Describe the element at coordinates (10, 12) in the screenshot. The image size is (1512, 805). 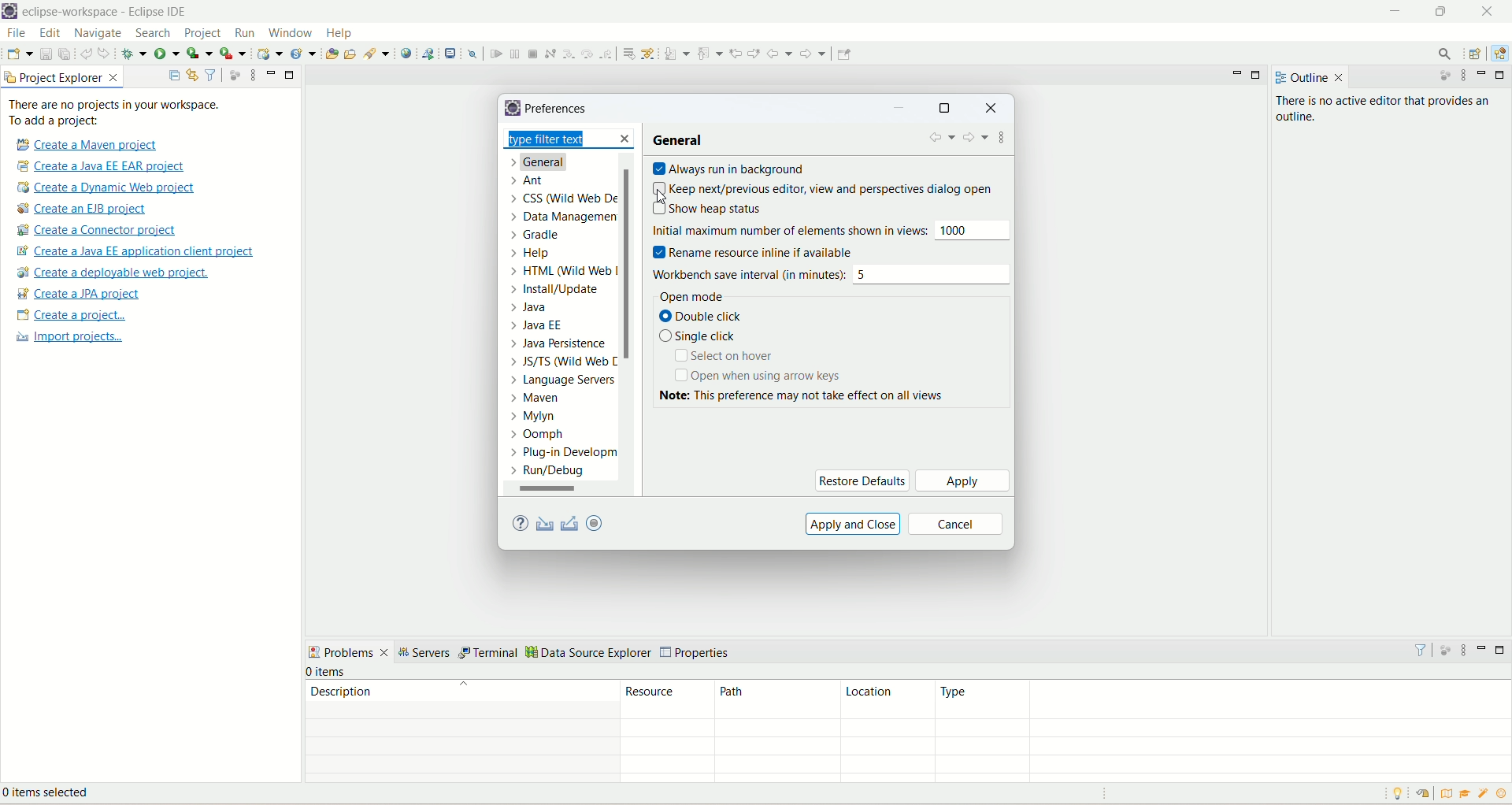
I see `logo` at that location.